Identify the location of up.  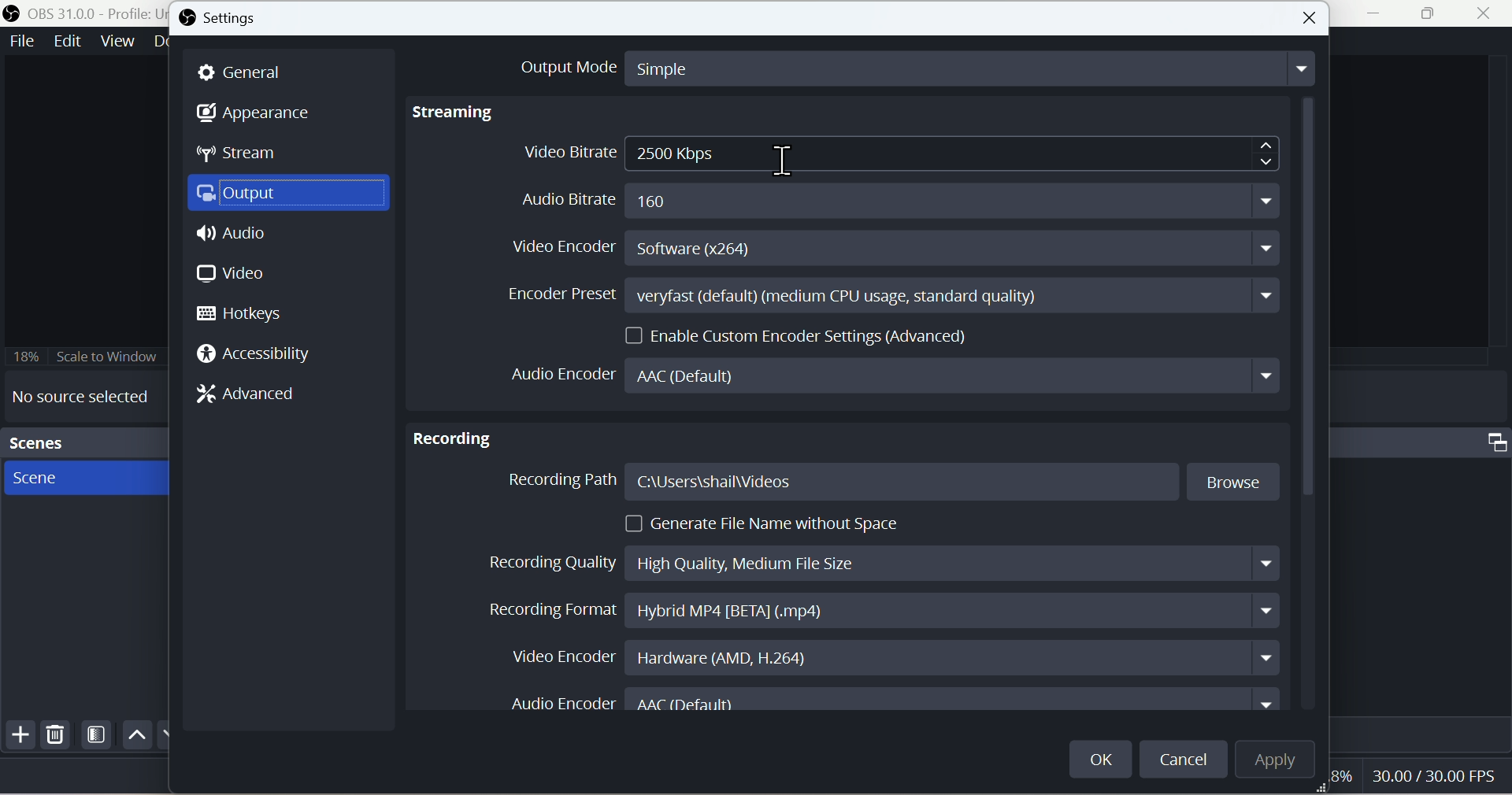
(135, 734).